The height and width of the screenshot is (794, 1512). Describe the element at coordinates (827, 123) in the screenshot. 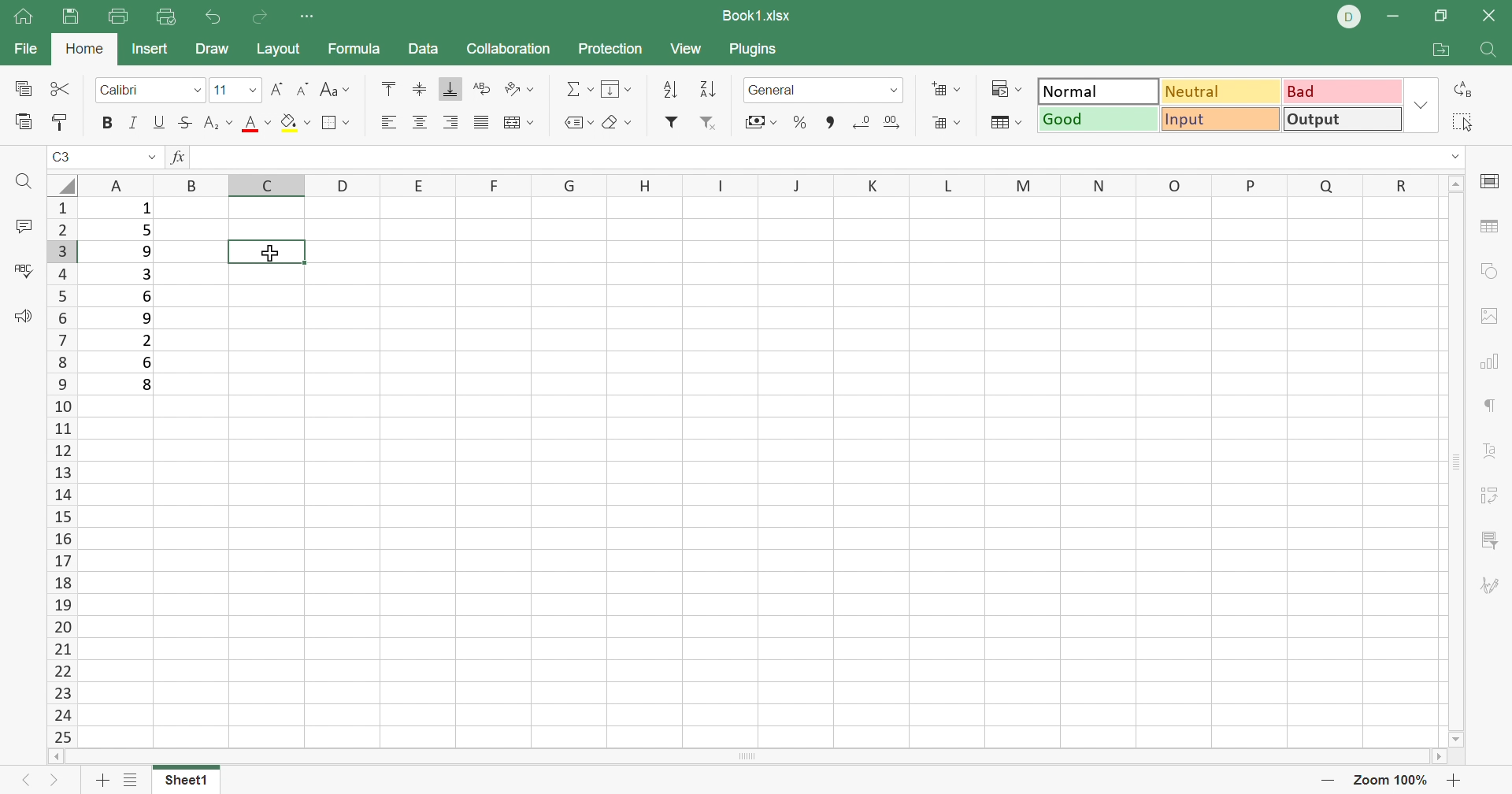

I see `Comma style` at that location.